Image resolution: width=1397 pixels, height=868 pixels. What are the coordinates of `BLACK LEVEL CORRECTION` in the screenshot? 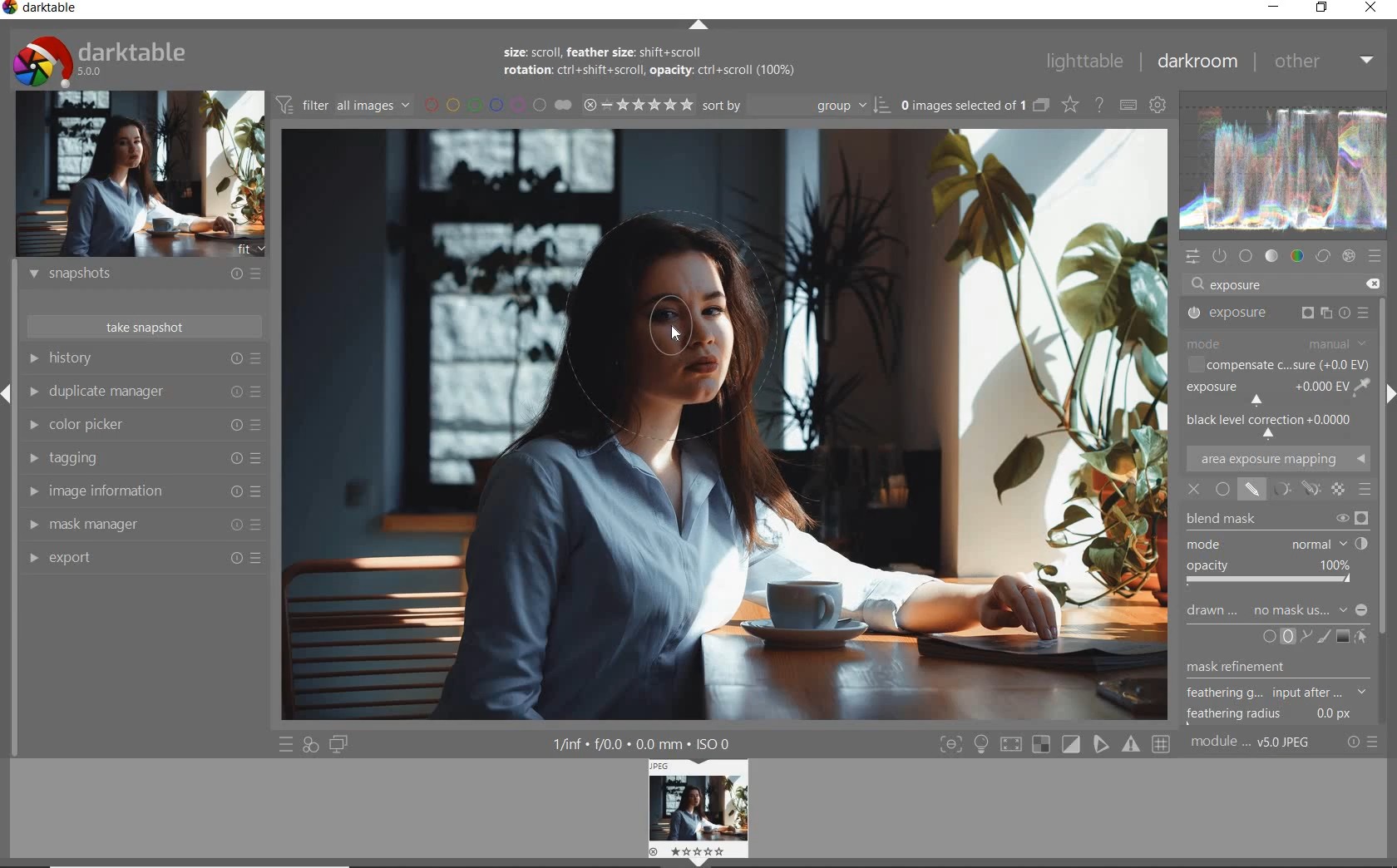 It's located at (1273, 422).